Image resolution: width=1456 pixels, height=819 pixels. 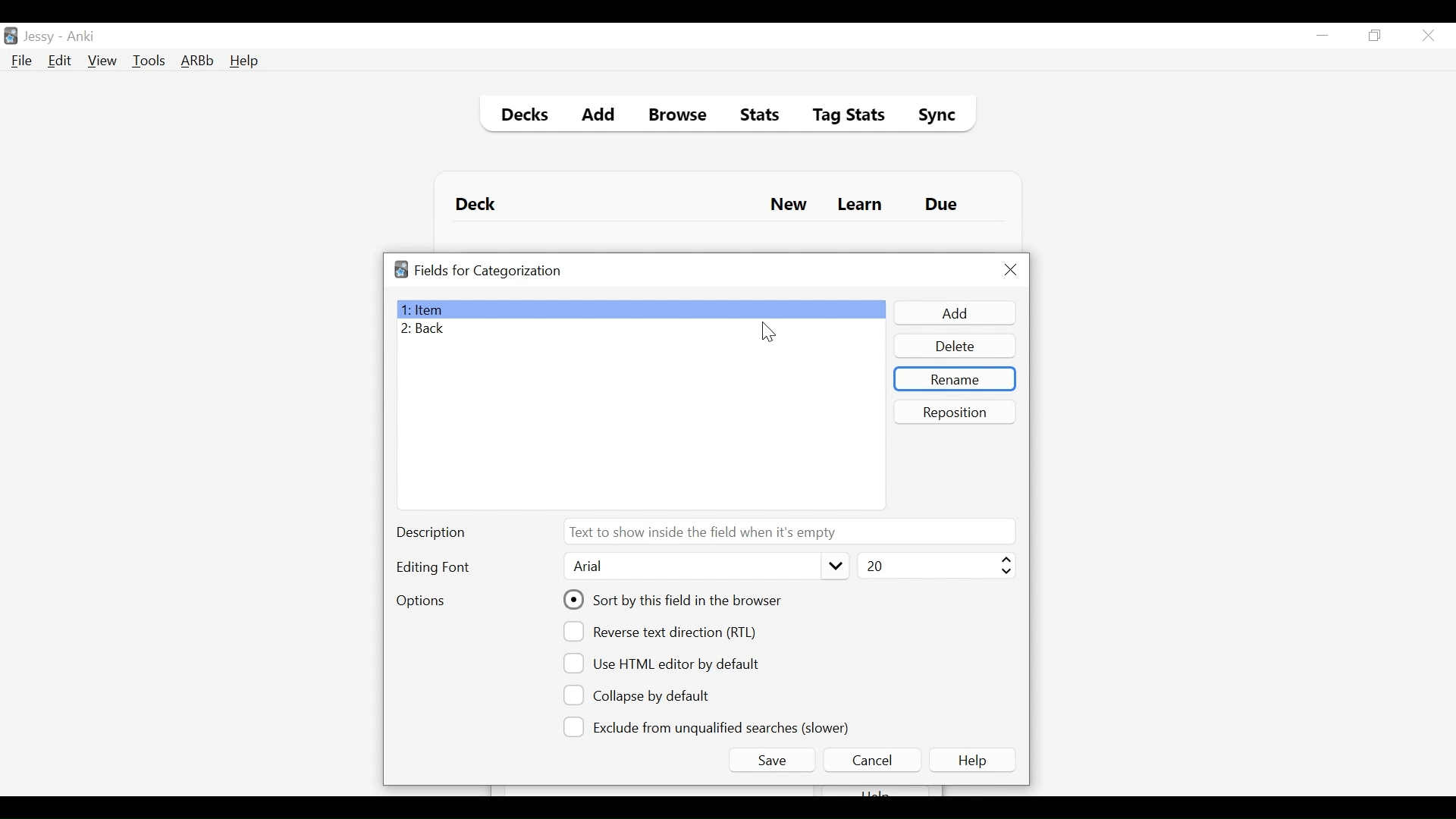 I want to click on Cancel, so click(x=871, y=760).